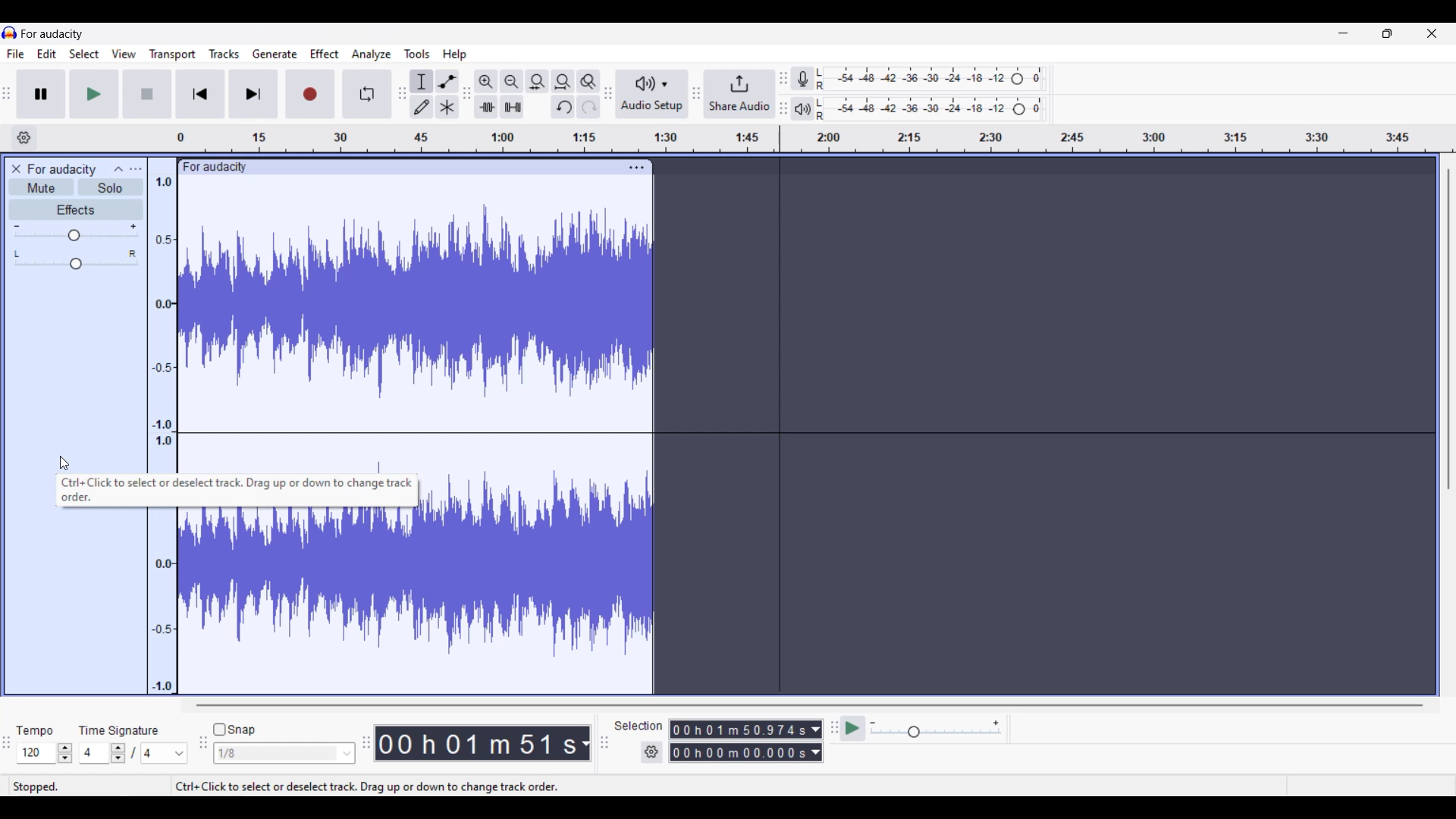 The height and width of the screenshot is (819, 1456). Describe the element at coordinates (171, 54) in the screenshot. I see `Transport menu` at that location.